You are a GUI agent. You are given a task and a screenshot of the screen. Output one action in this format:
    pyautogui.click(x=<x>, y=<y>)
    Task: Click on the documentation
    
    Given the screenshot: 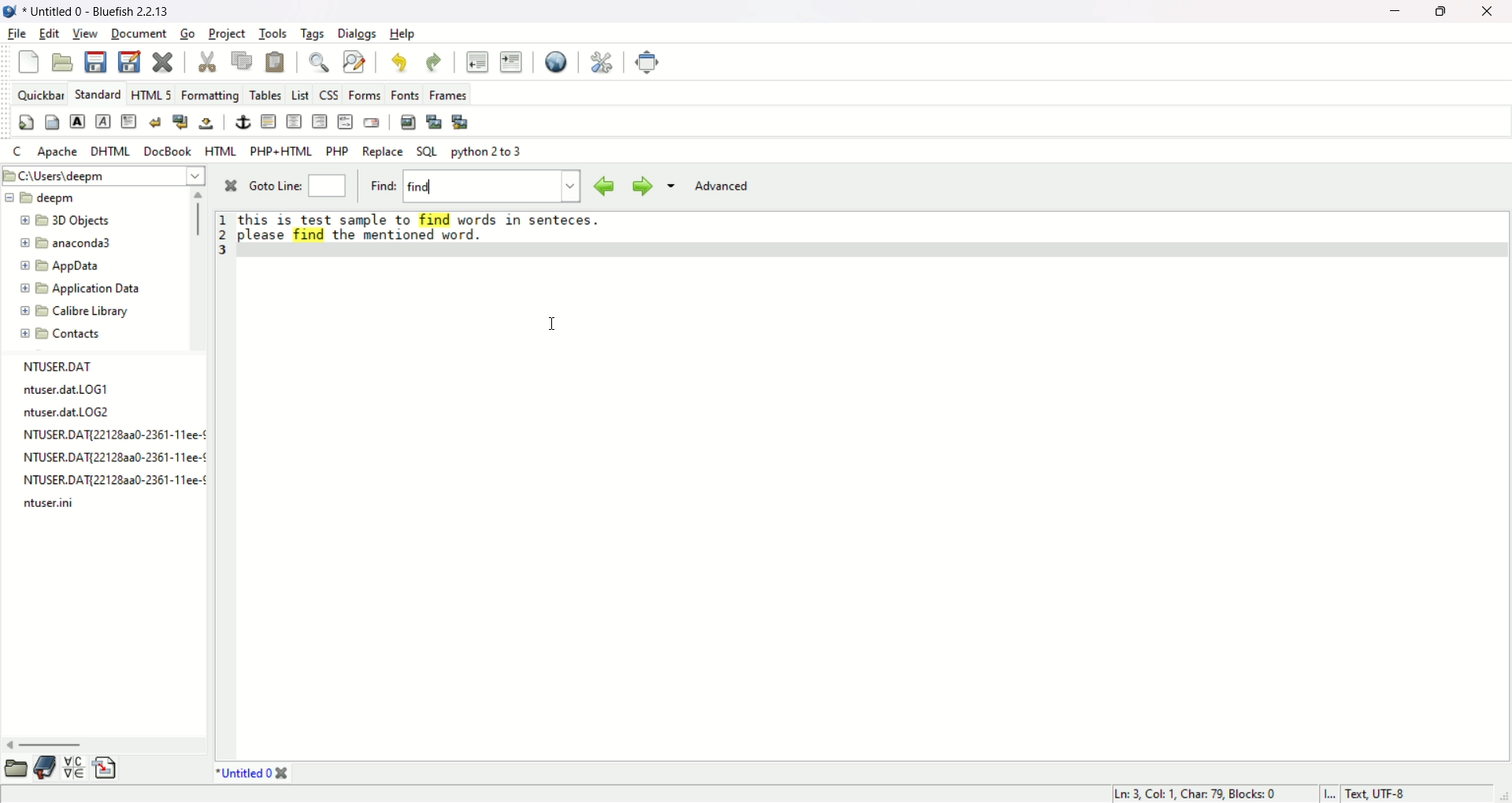 What is the action you would take?
    pyautogui.click(x=45, y=768)
    